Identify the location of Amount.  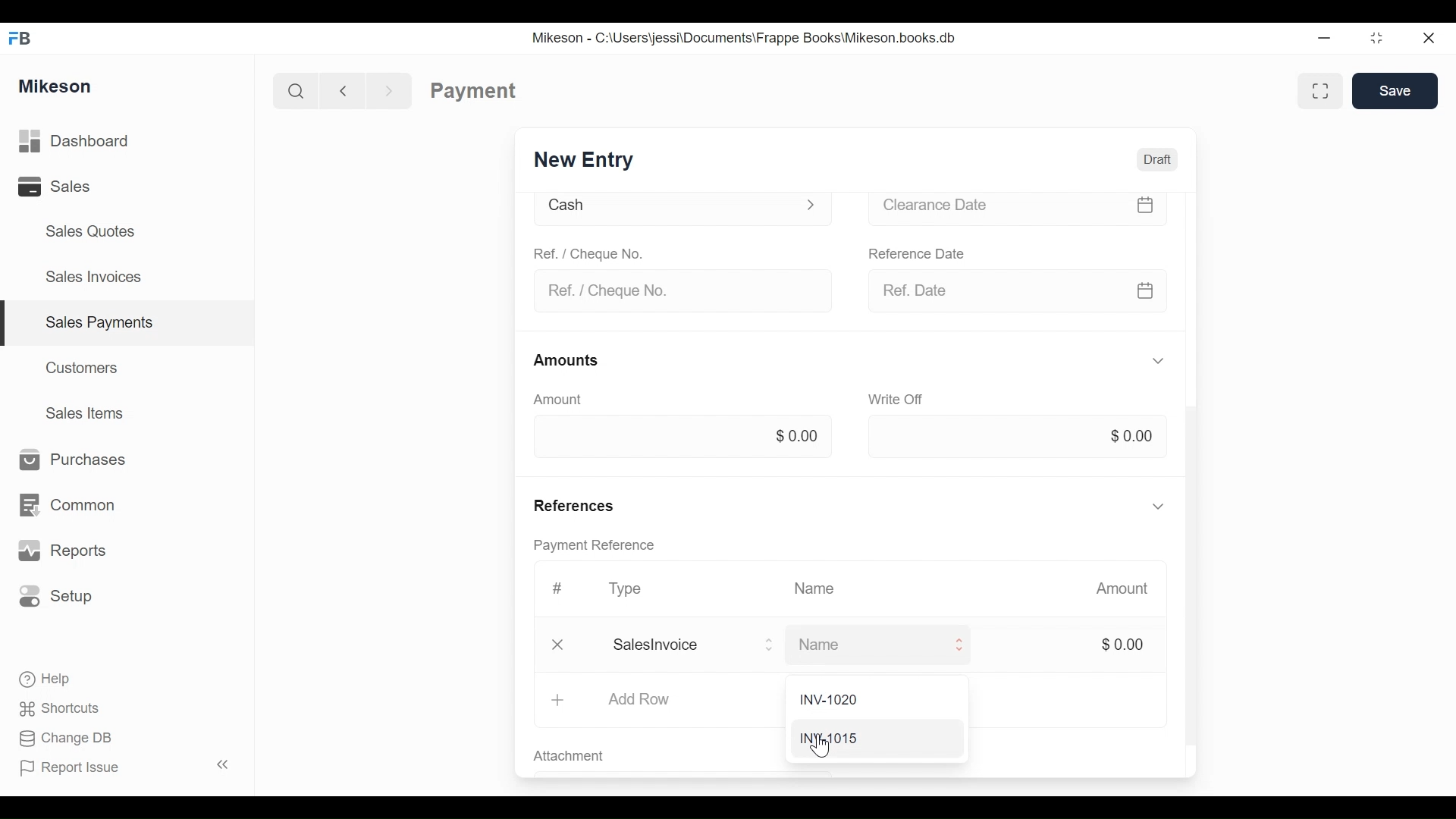
(1123, 588).